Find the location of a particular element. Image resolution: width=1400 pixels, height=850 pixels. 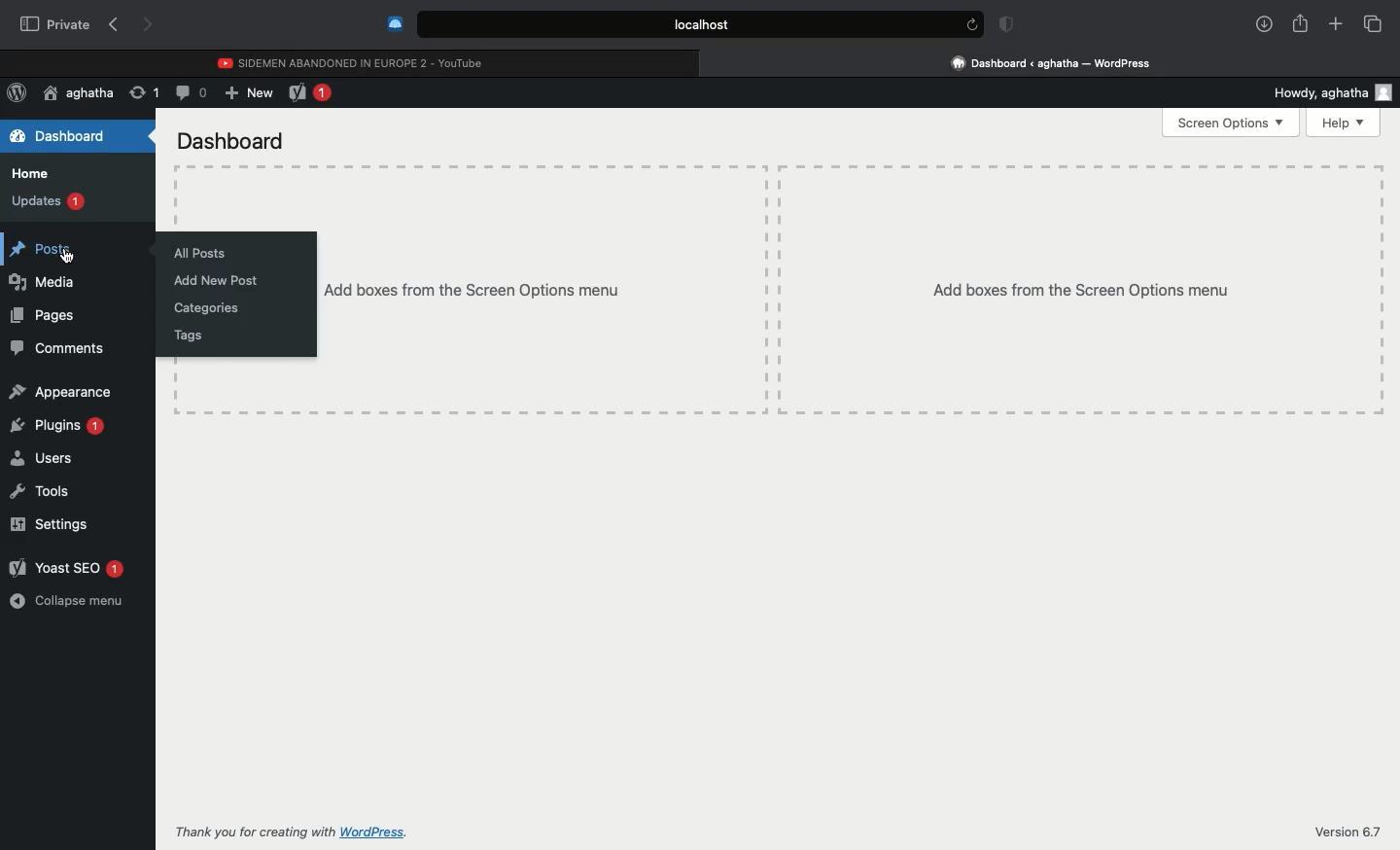

Tools is located at coordinates (39, 493).